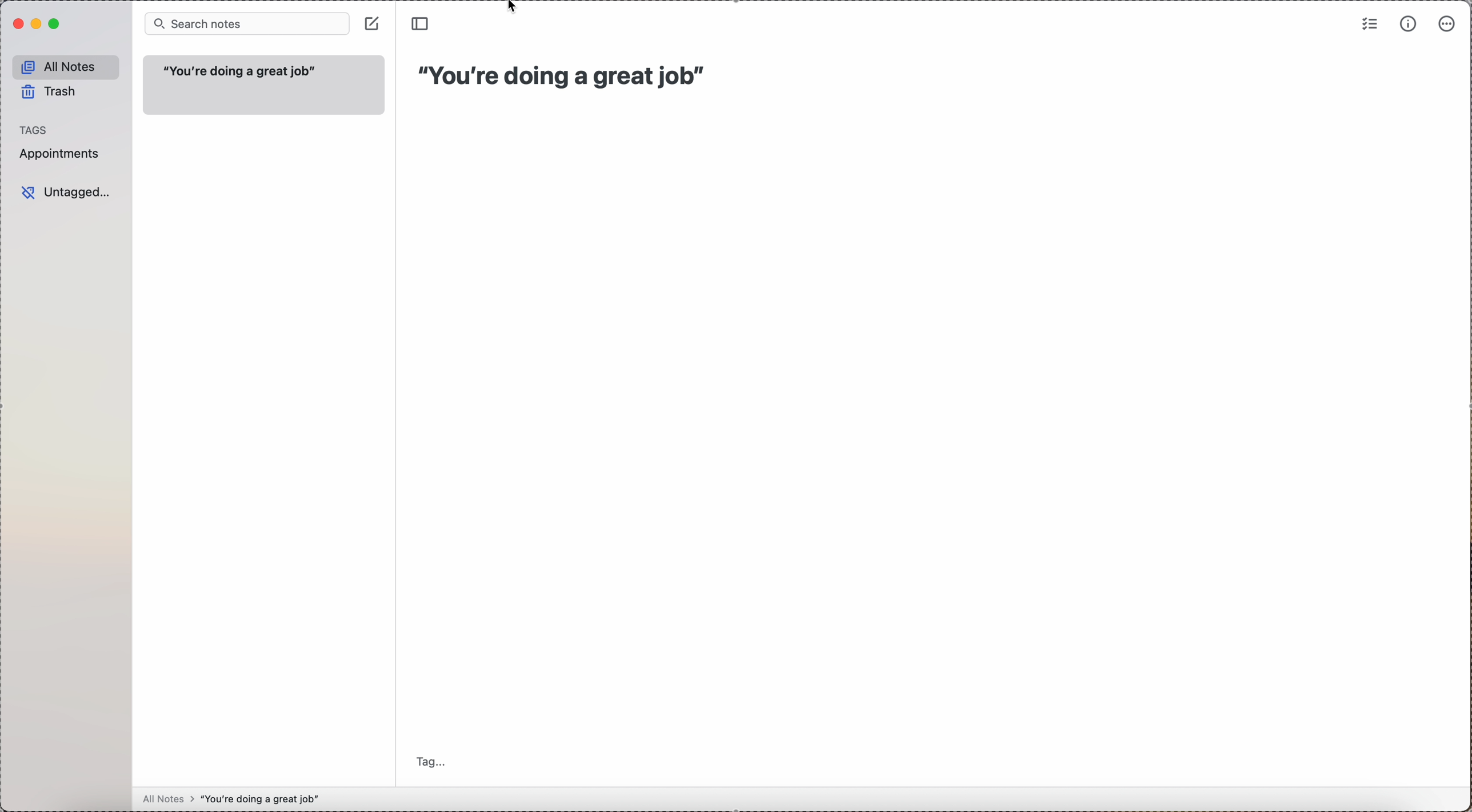 This screenshot has width=1472, height=812. Describe the element at coordinates (421, 25) in the screenshot. I see `toggle sidebar` at that location.